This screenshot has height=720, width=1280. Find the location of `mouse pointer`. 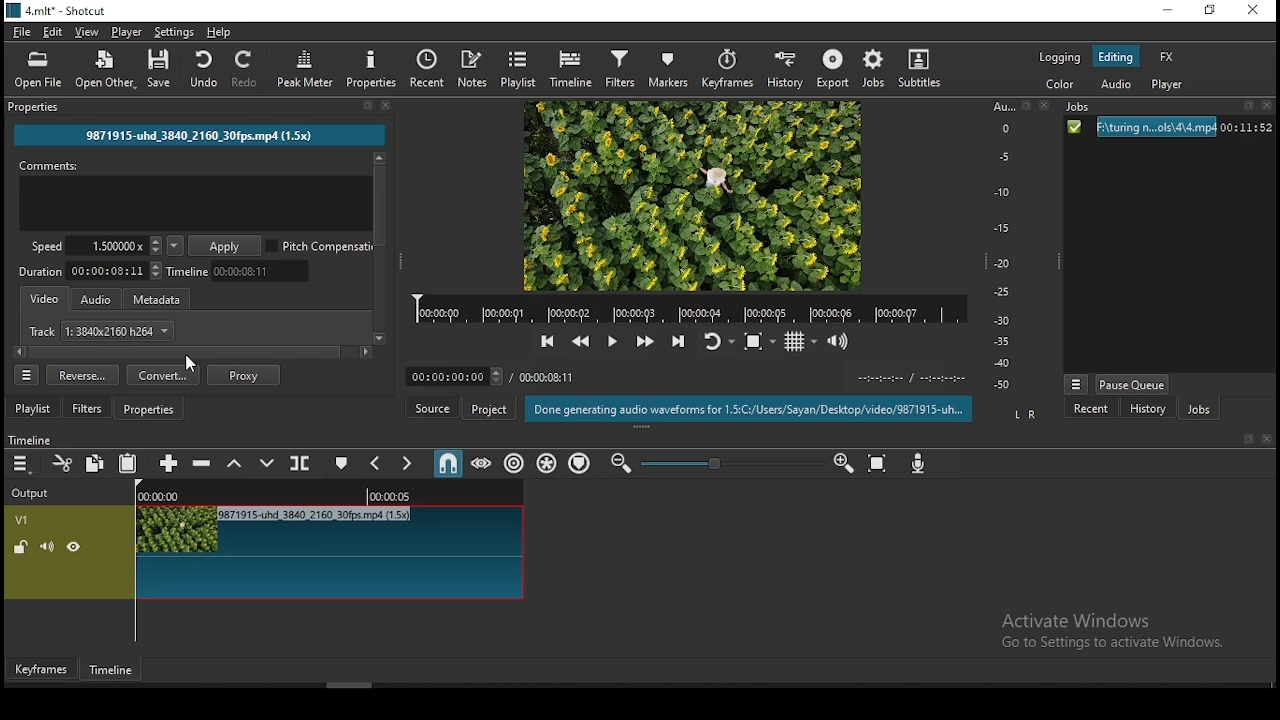

mouse pointer is located at coordinates (187, 363).